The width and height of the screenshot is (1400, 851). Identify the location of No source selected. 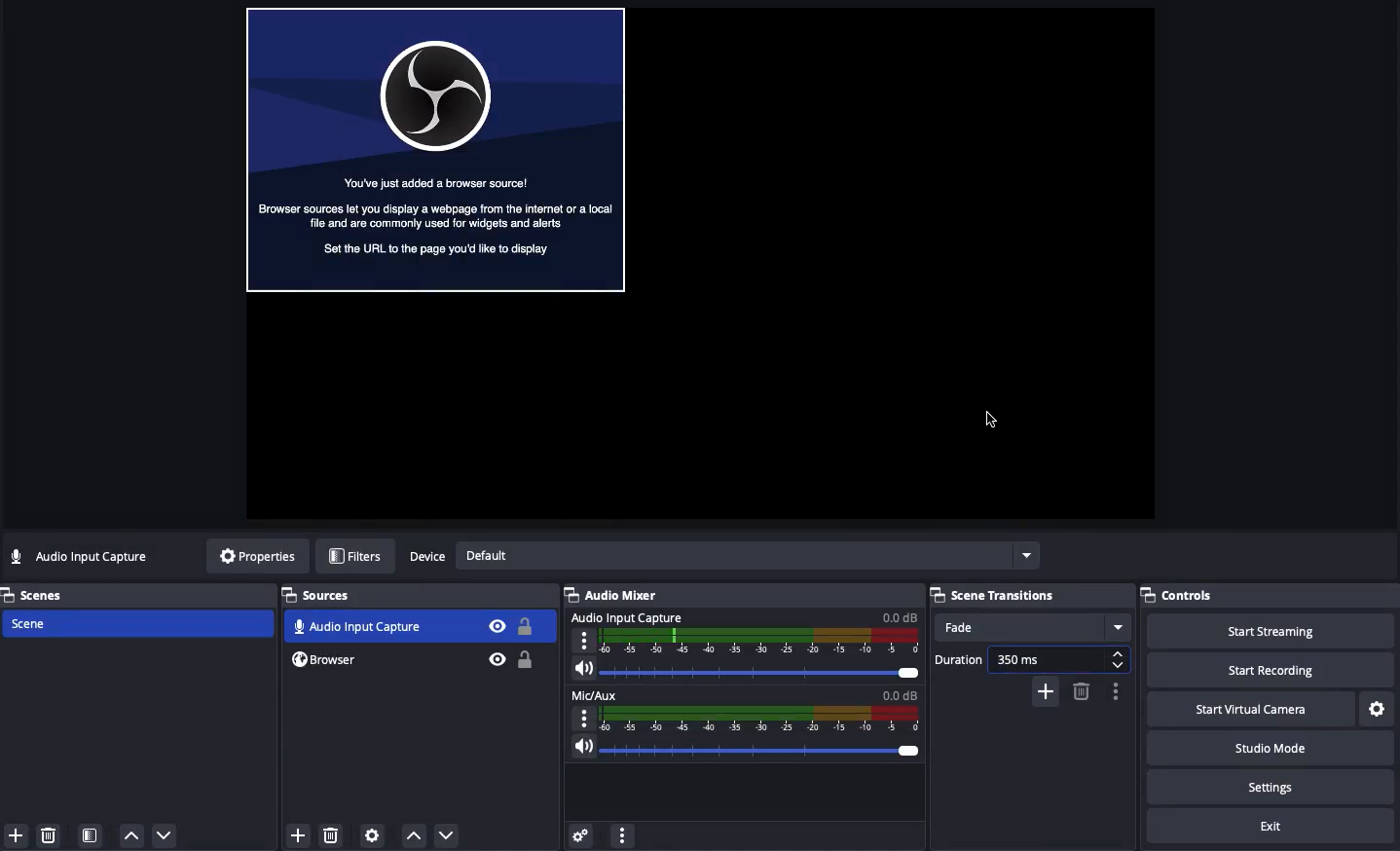
(63, 559).